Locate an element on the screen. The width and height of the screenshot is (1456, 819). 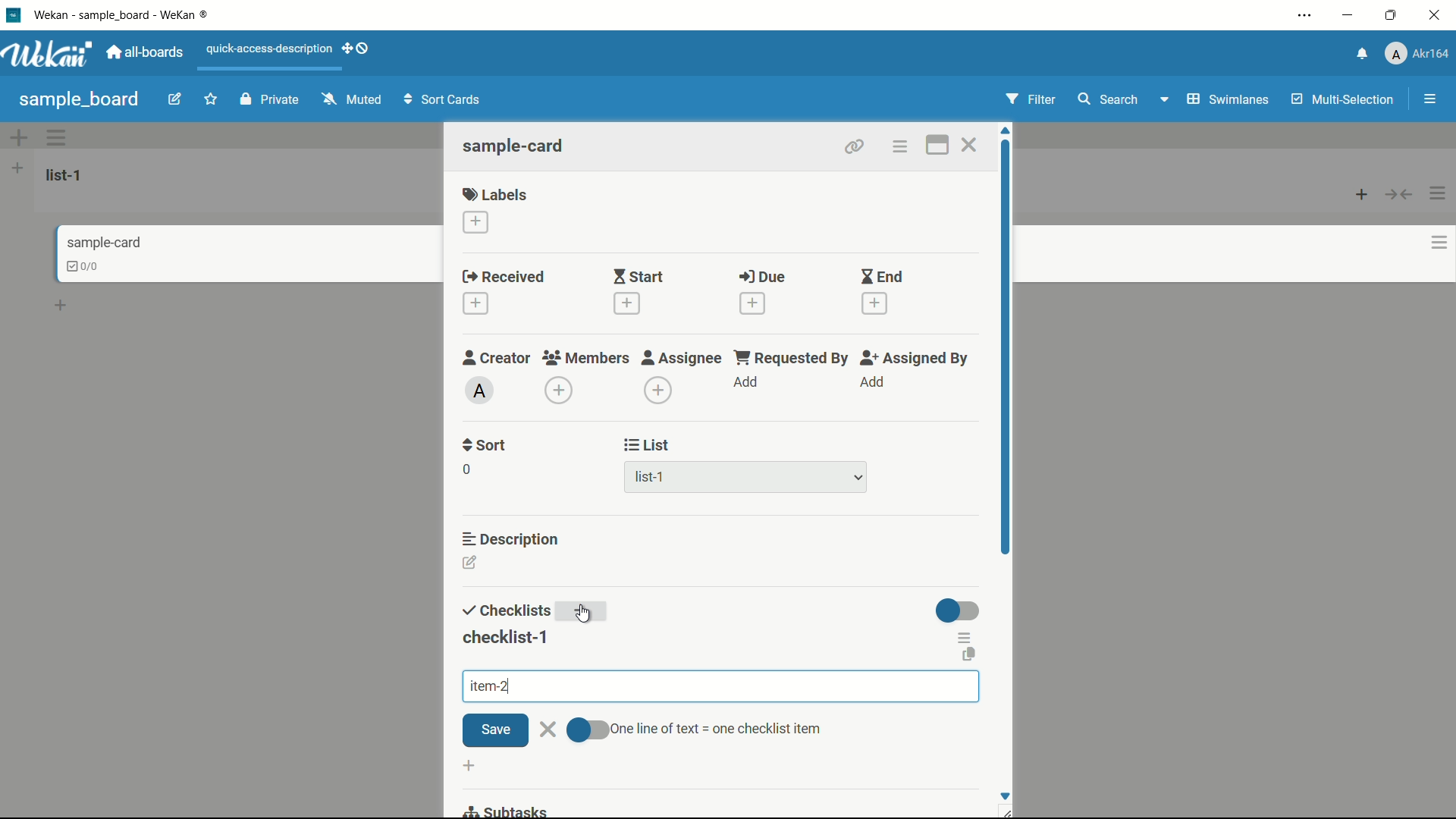
scroll up is located at coordinates (1007, 130).